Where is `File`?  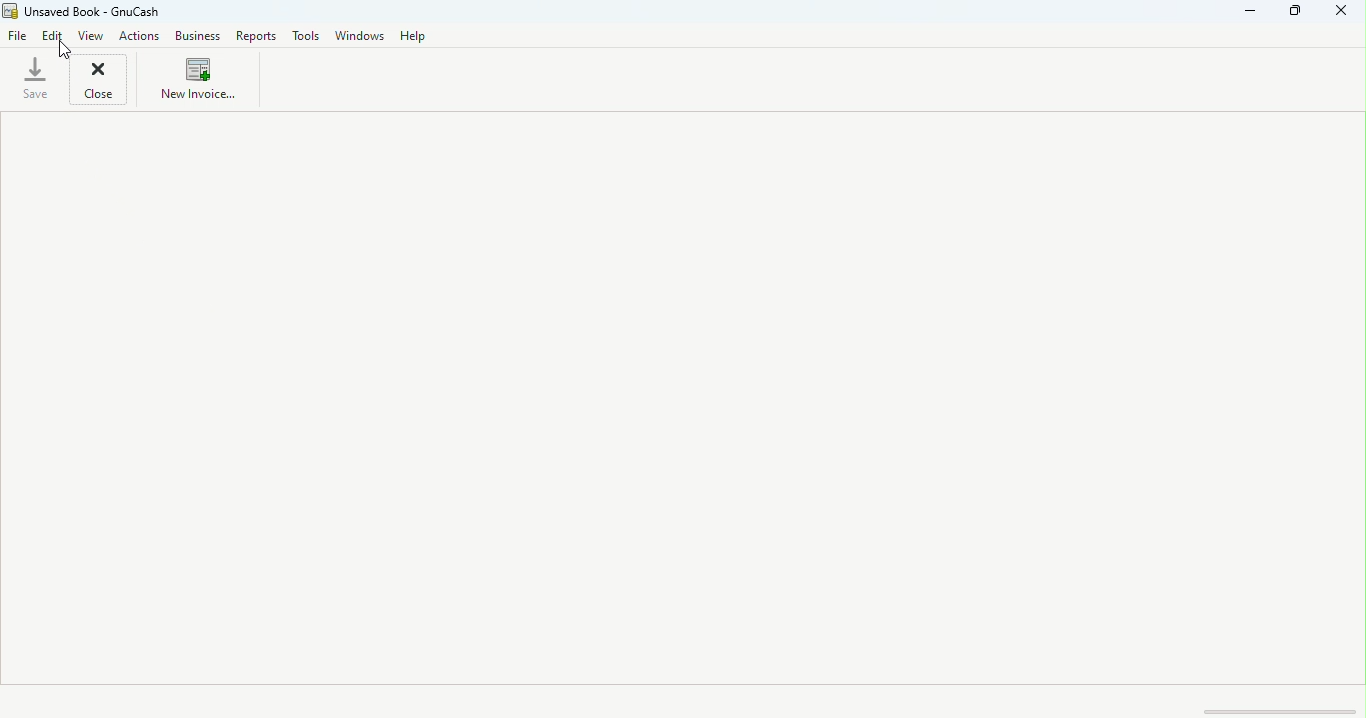 File is located at coordinates (19, 34).